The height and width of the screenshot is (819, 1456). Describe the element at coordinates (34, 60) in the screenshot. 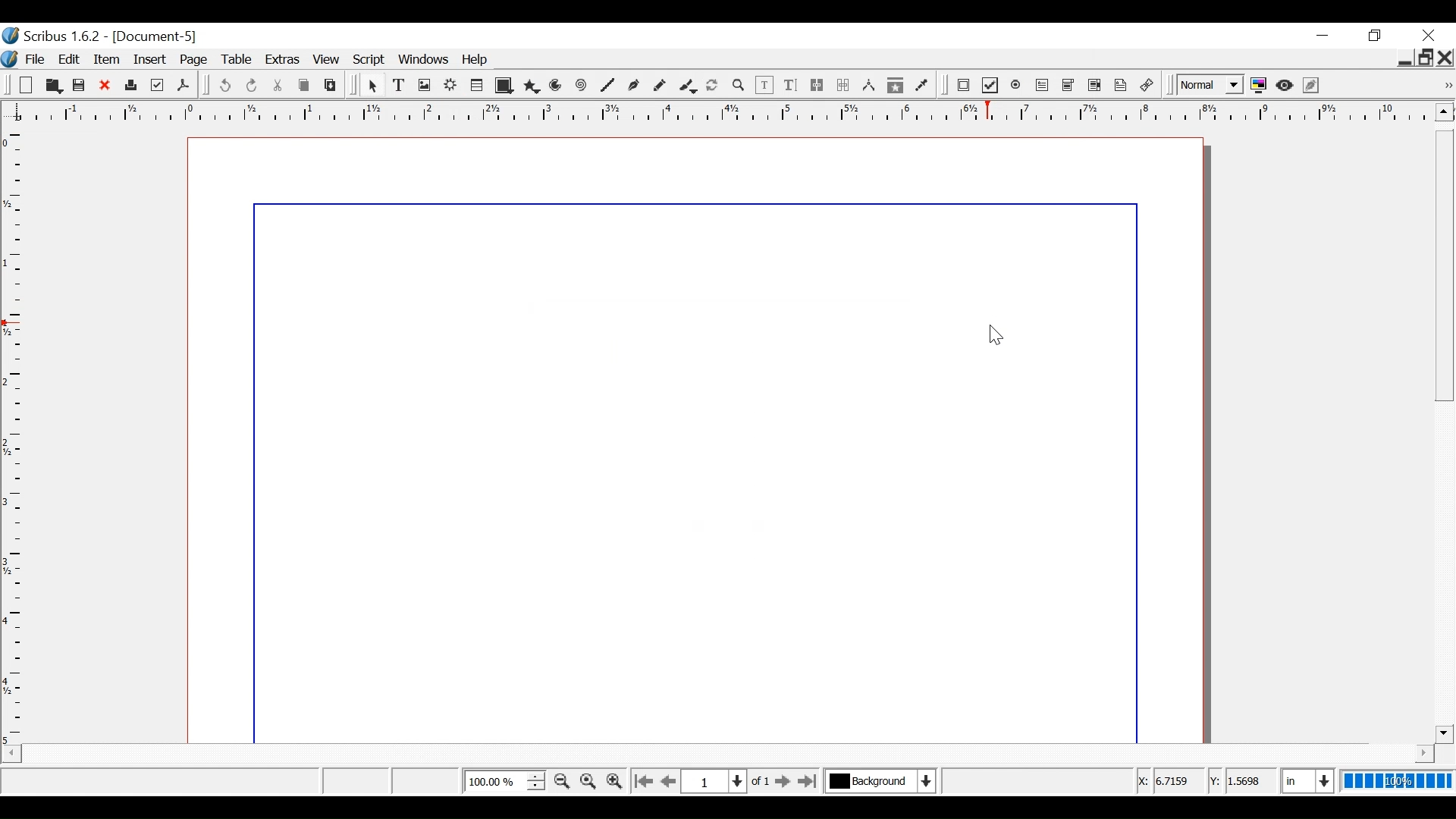

I see `File` at that location.